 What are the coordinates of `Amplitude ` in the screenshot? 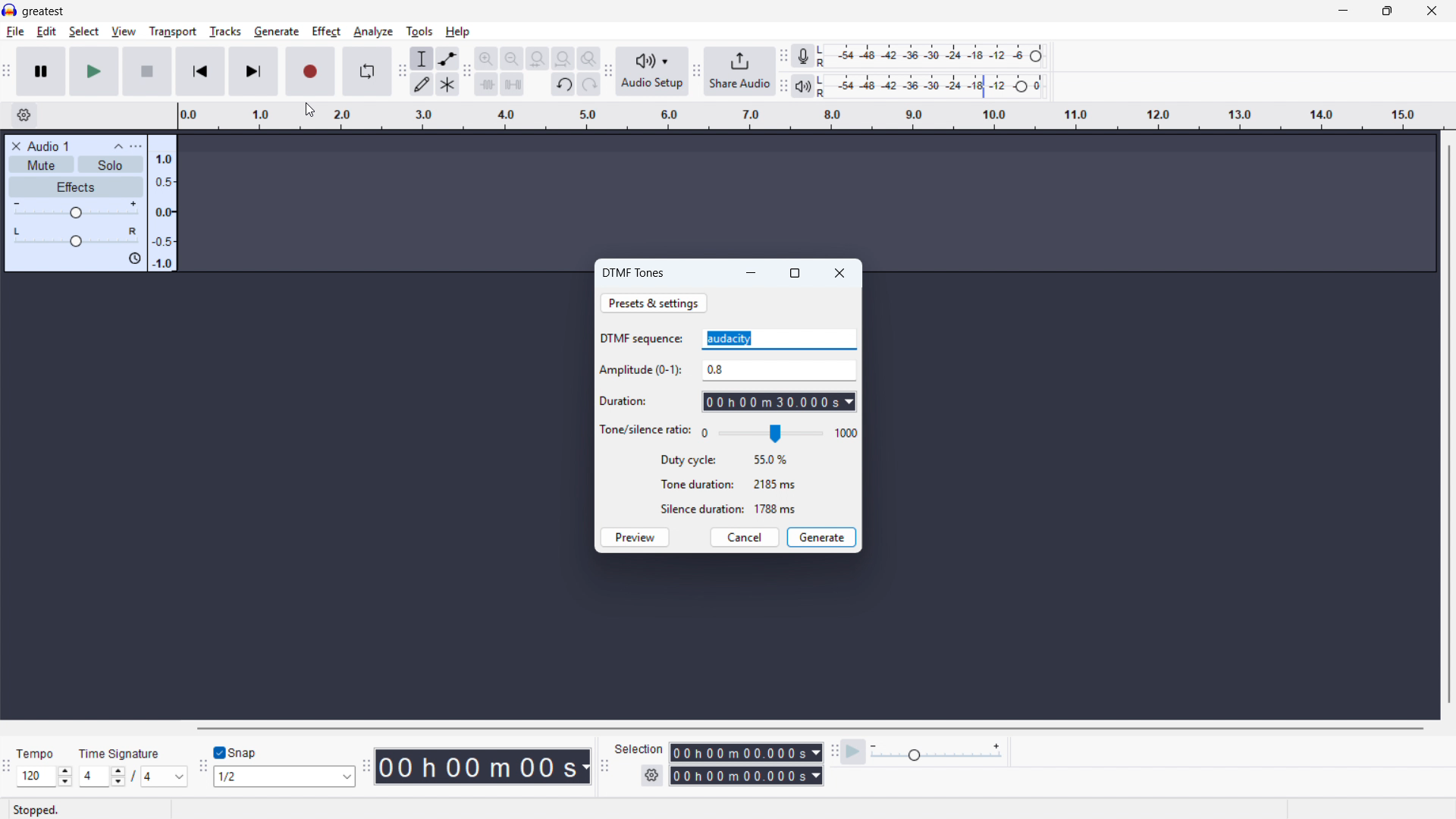 It's located at (778, 371).